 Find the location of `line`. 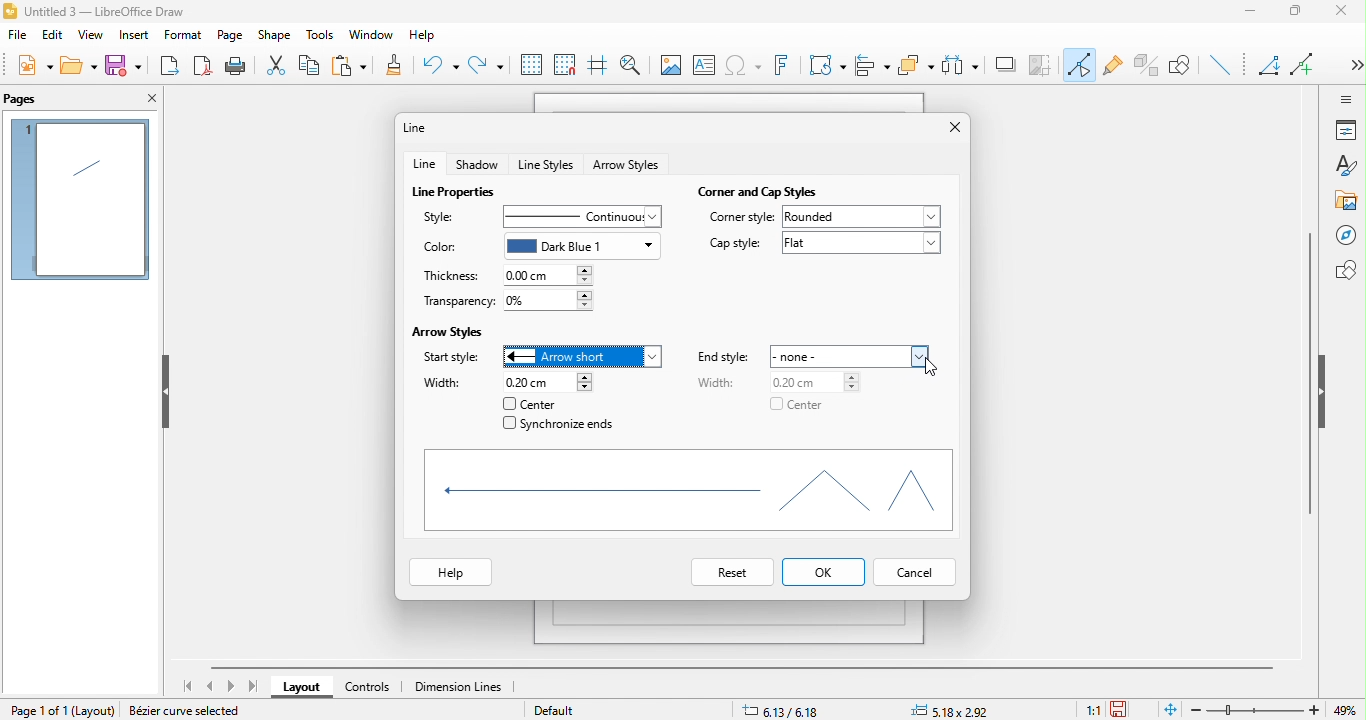

line is located at coordinates (422, 127).